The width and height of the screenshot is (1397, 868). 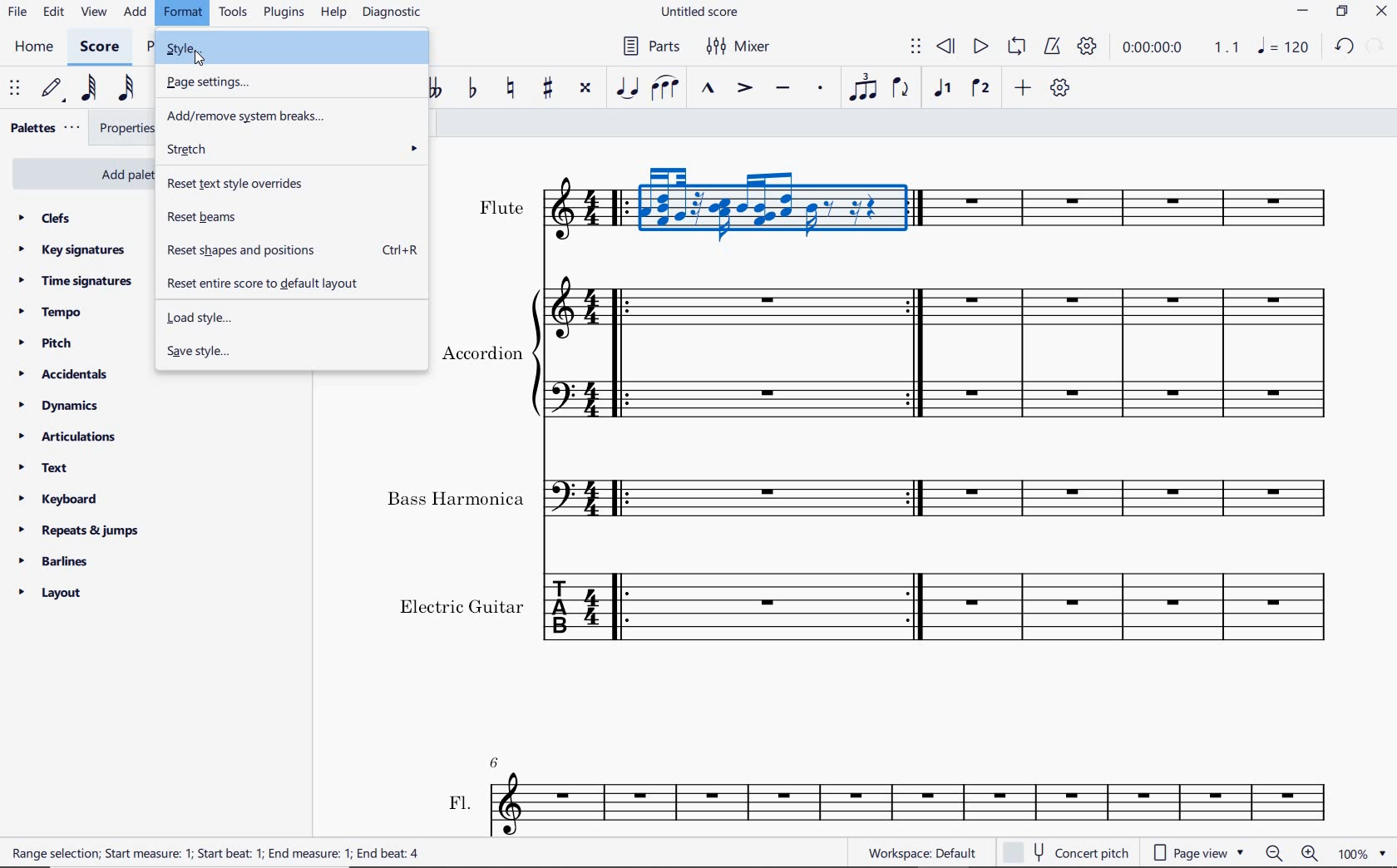 I want to click on tenuto, so click(x=783, y=88).